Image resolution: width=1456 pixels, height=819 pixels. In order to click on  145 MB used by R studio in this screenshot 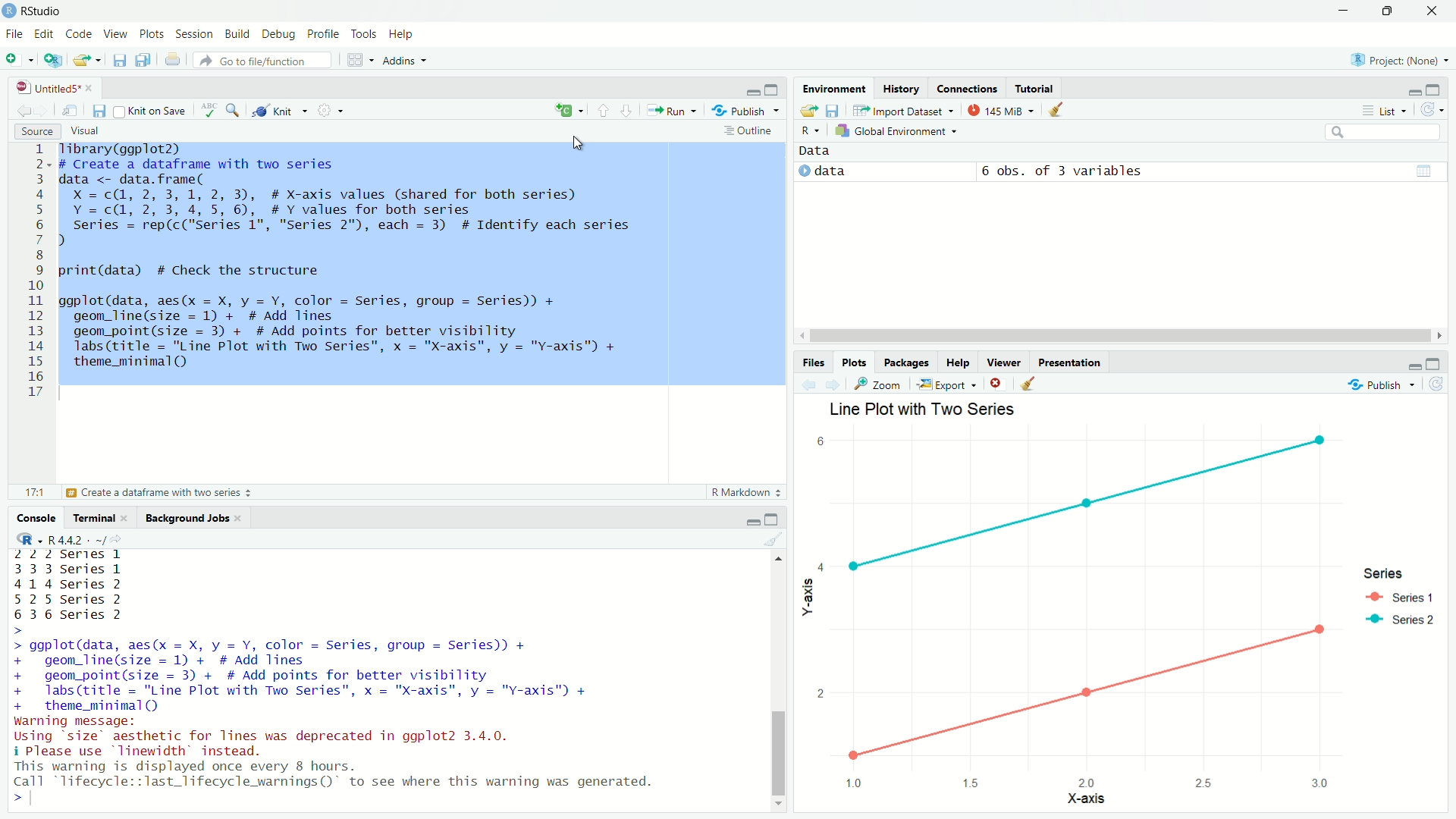, I will do `click(999, 110)`.